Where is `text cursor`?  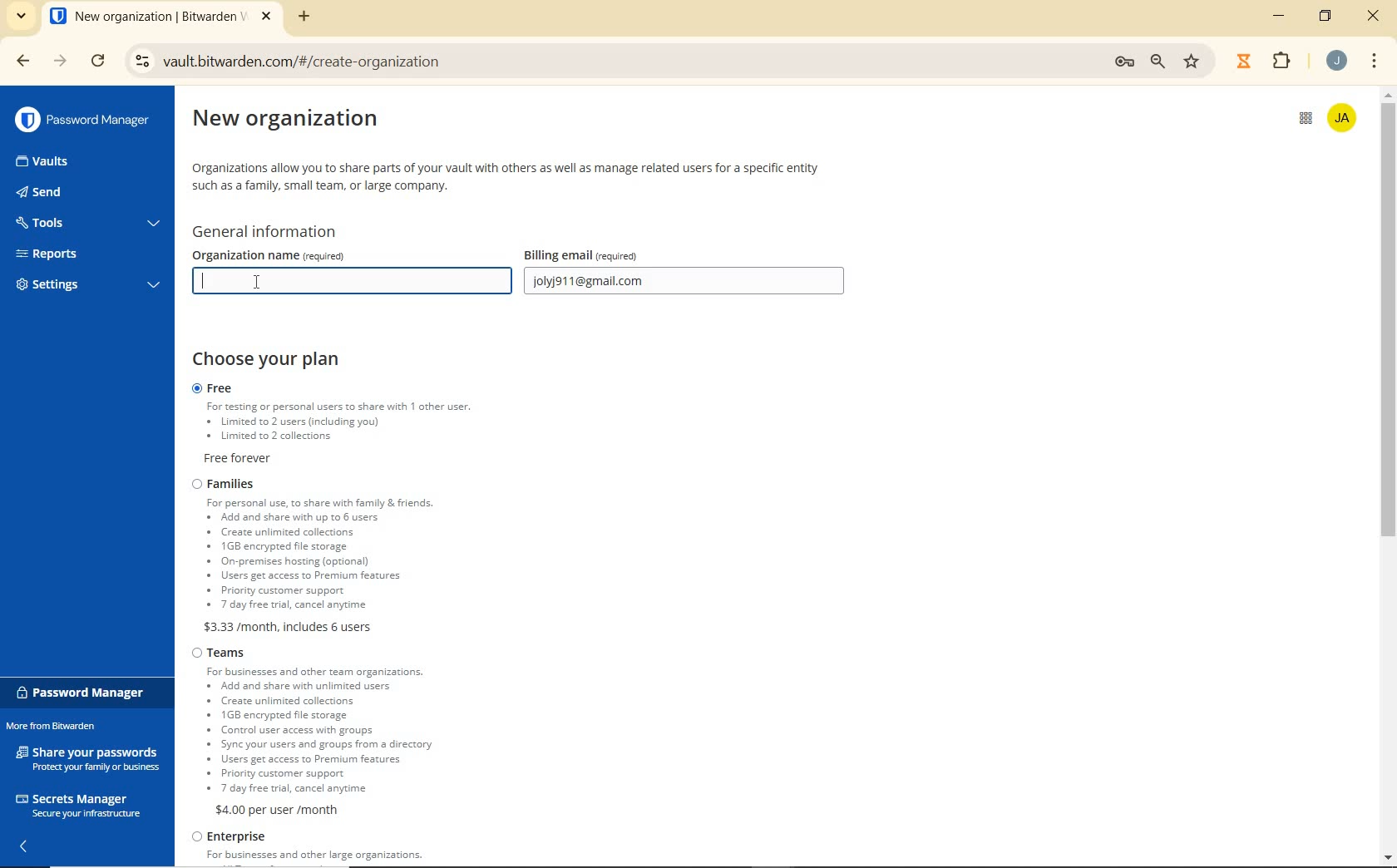
text cursor is located at coordinates (201, 288).